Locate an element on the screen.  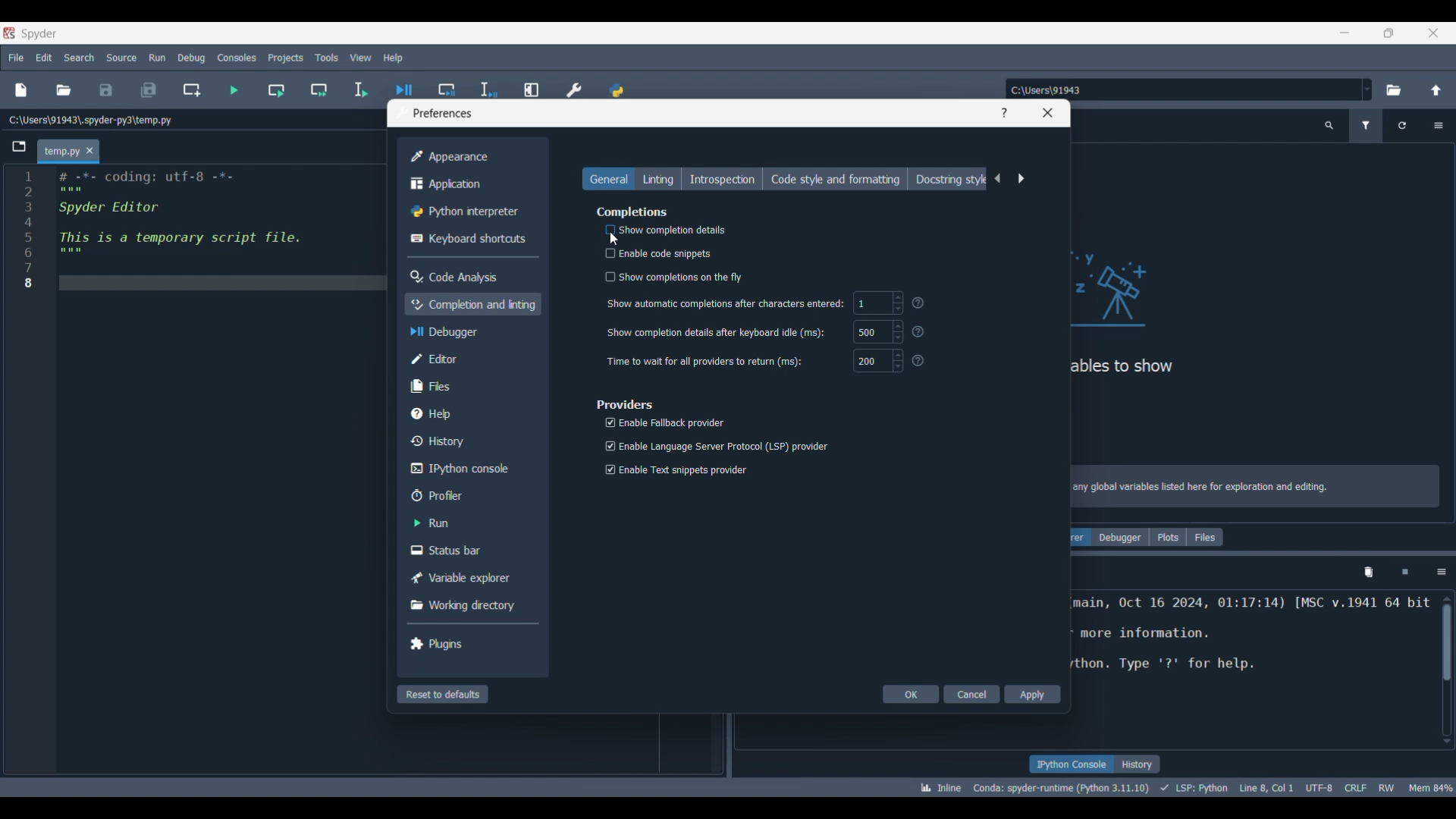
Previous is located at coordinates (998, 178).